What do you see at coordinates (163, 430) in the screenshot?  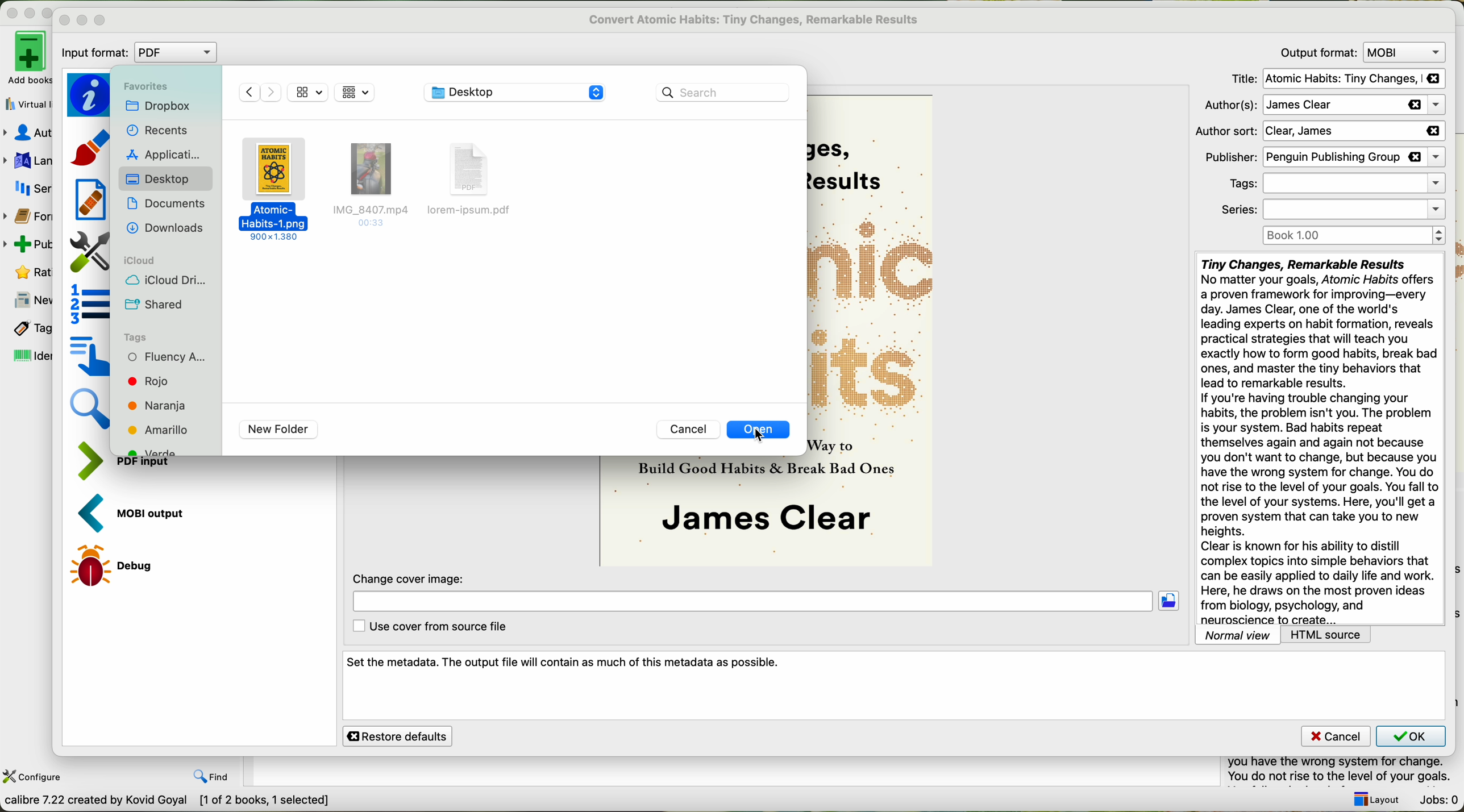 I see `yellow tag` at bounding box center [163, 430].